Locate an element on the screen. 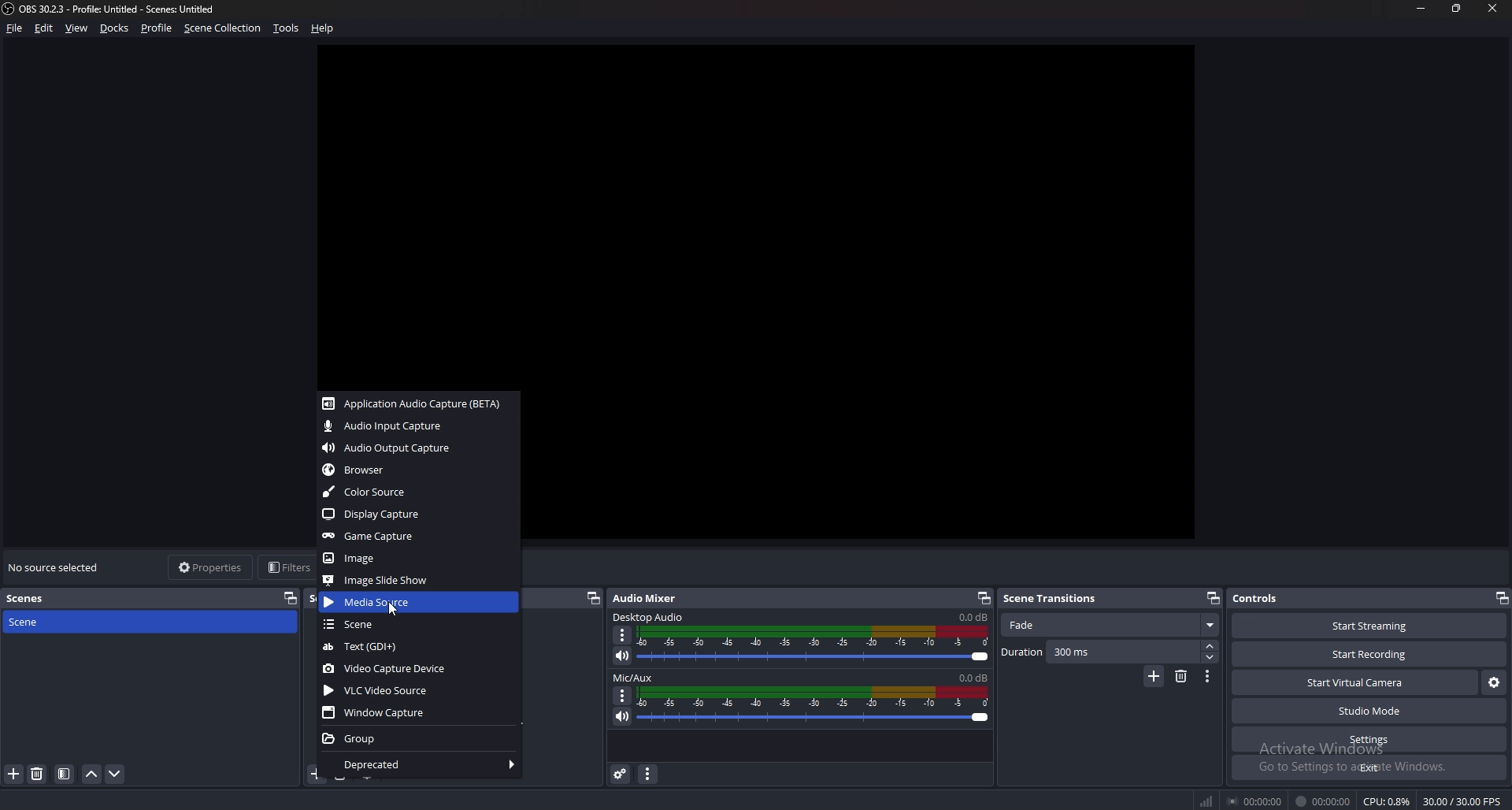  mic sound is located at coordinates (973, 676).